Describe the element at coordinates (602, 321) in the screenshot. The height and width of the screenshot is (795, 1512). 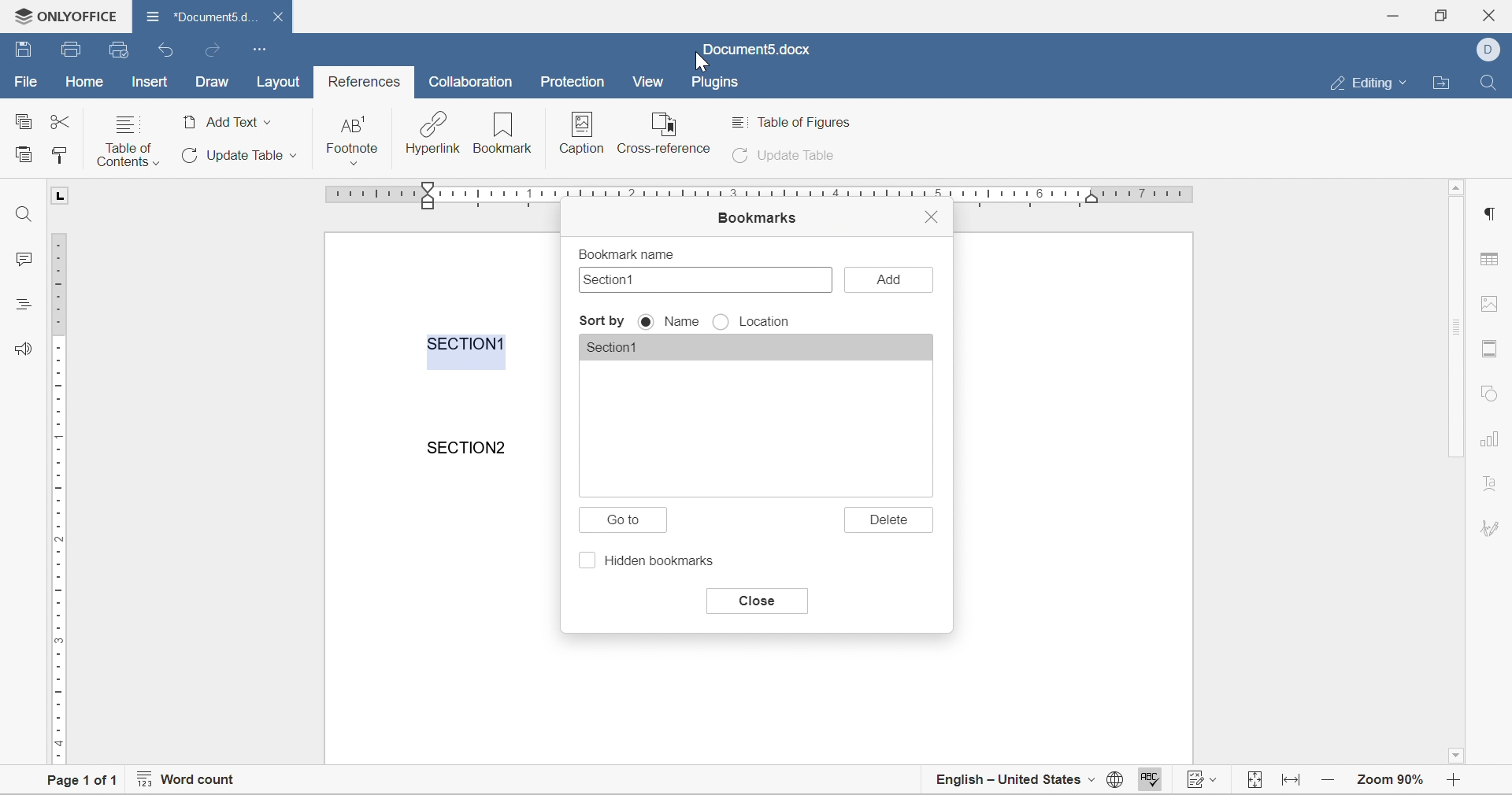
I see `sort by` at that location.